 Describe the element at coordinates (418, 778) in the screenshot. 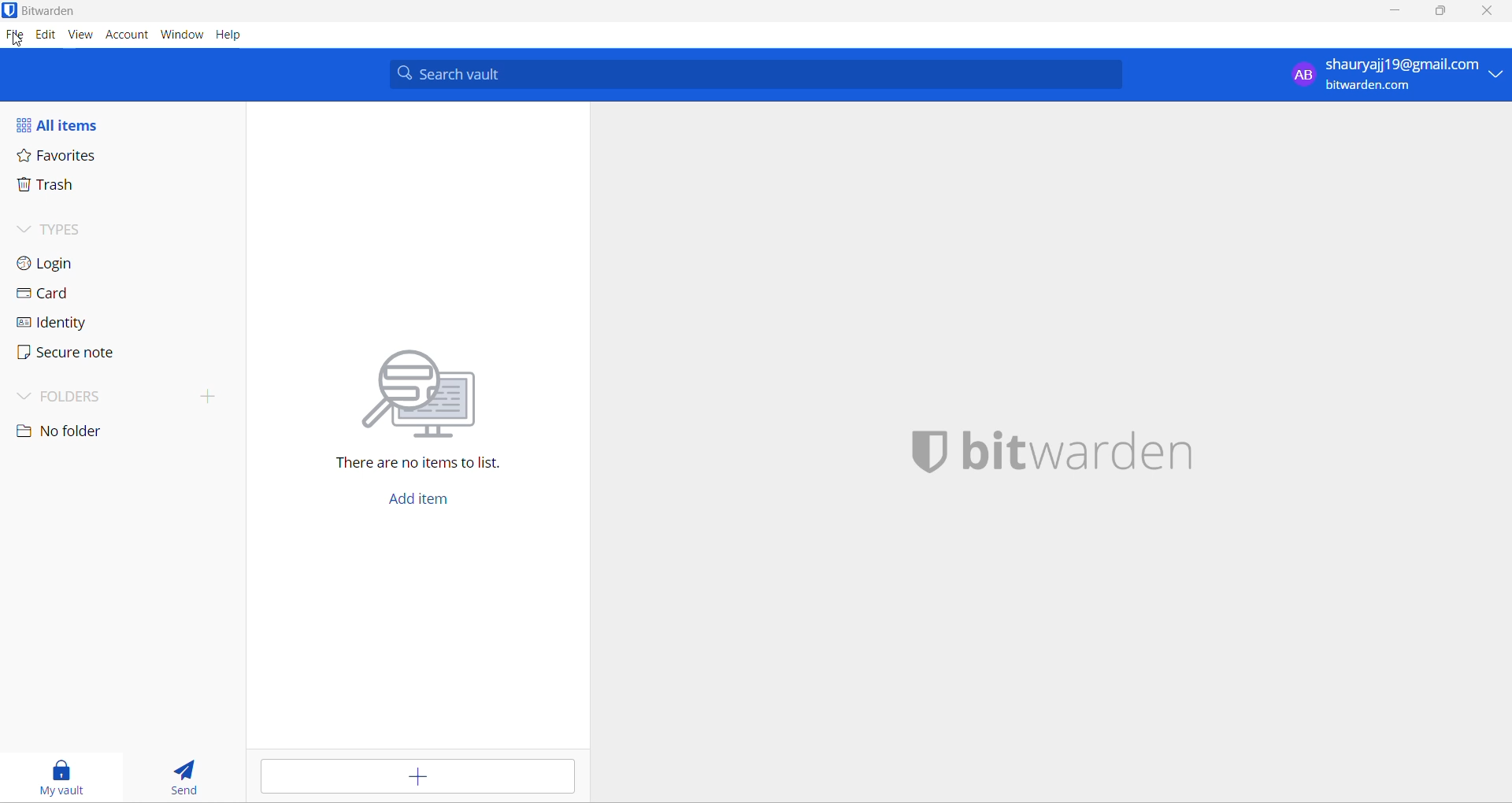

I see `add button` at that location.